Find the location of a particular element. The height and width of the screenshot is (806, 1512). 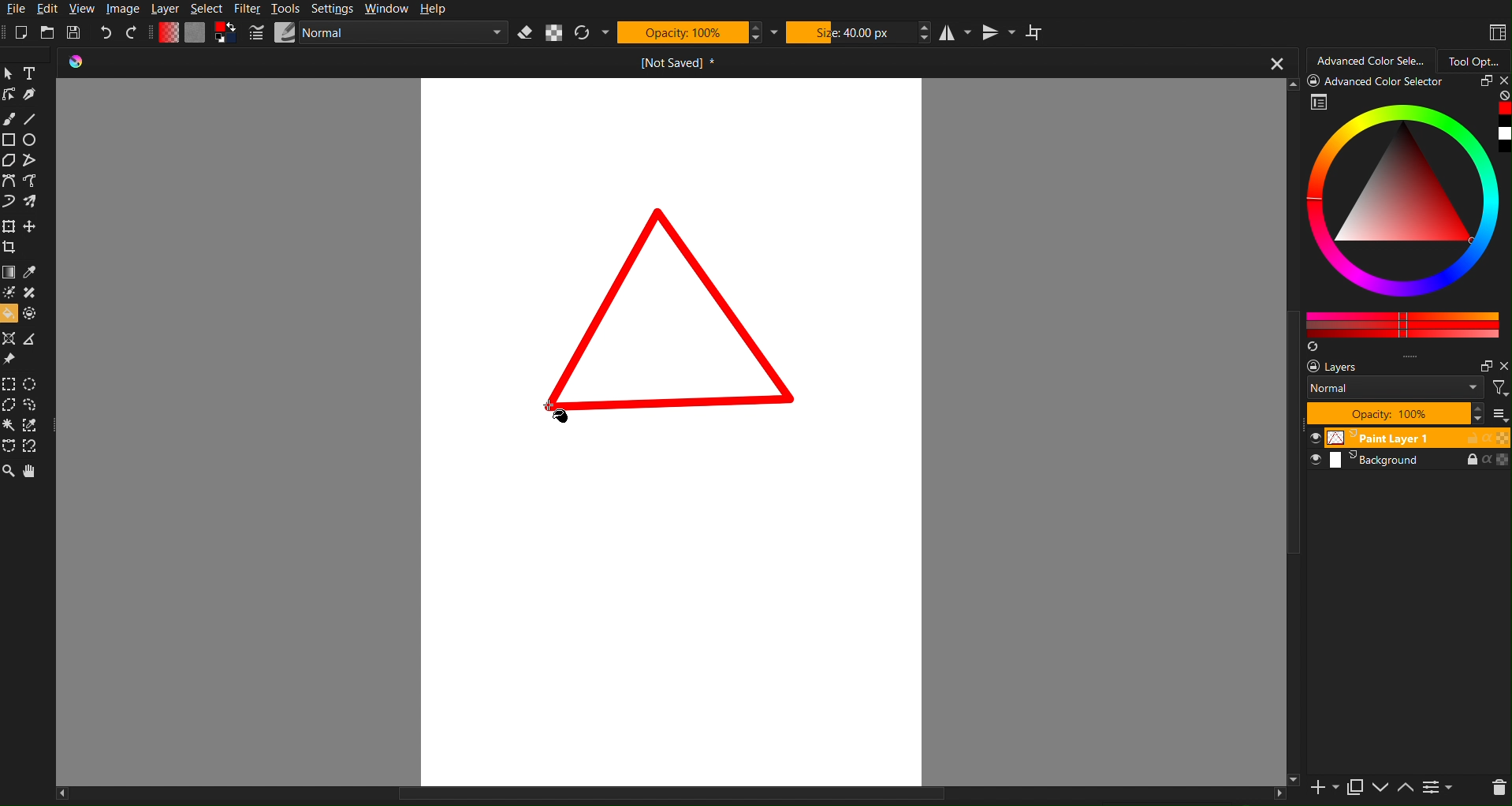

Cursor is located at coordinates (557, 413).